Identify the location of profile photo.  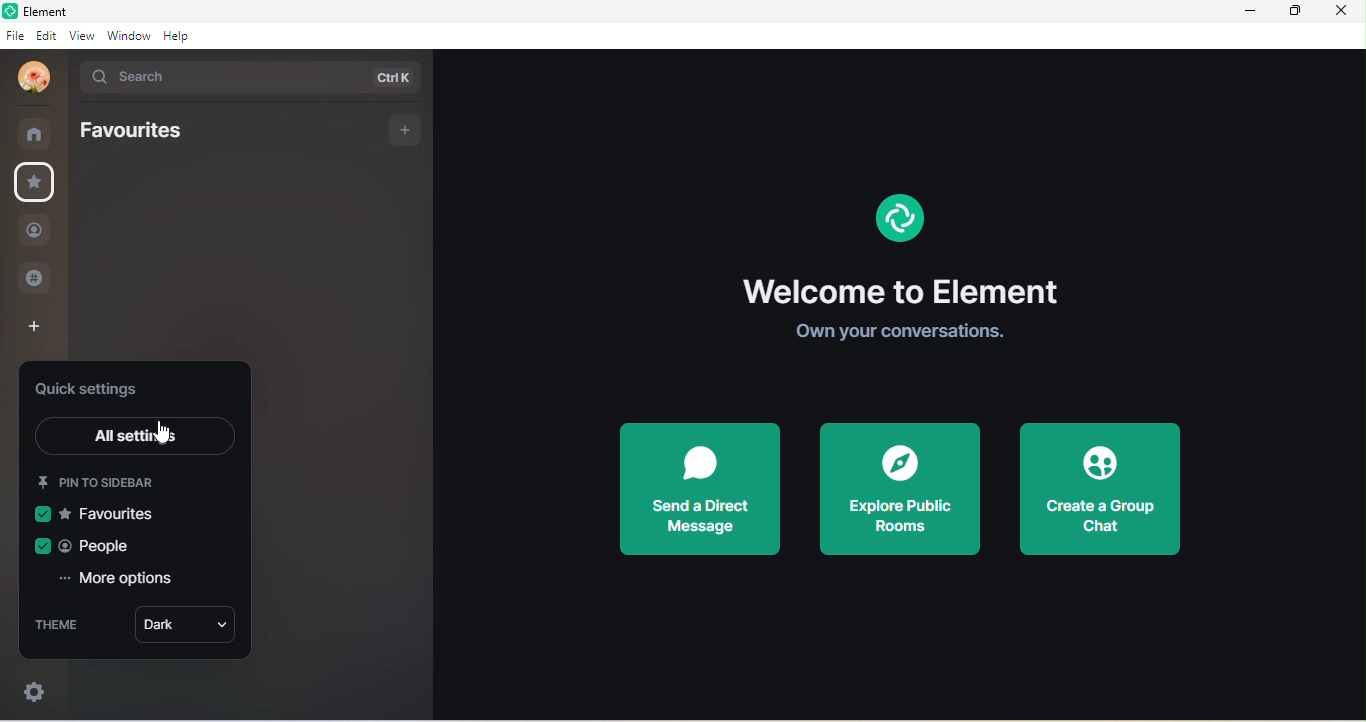
(35, 75).